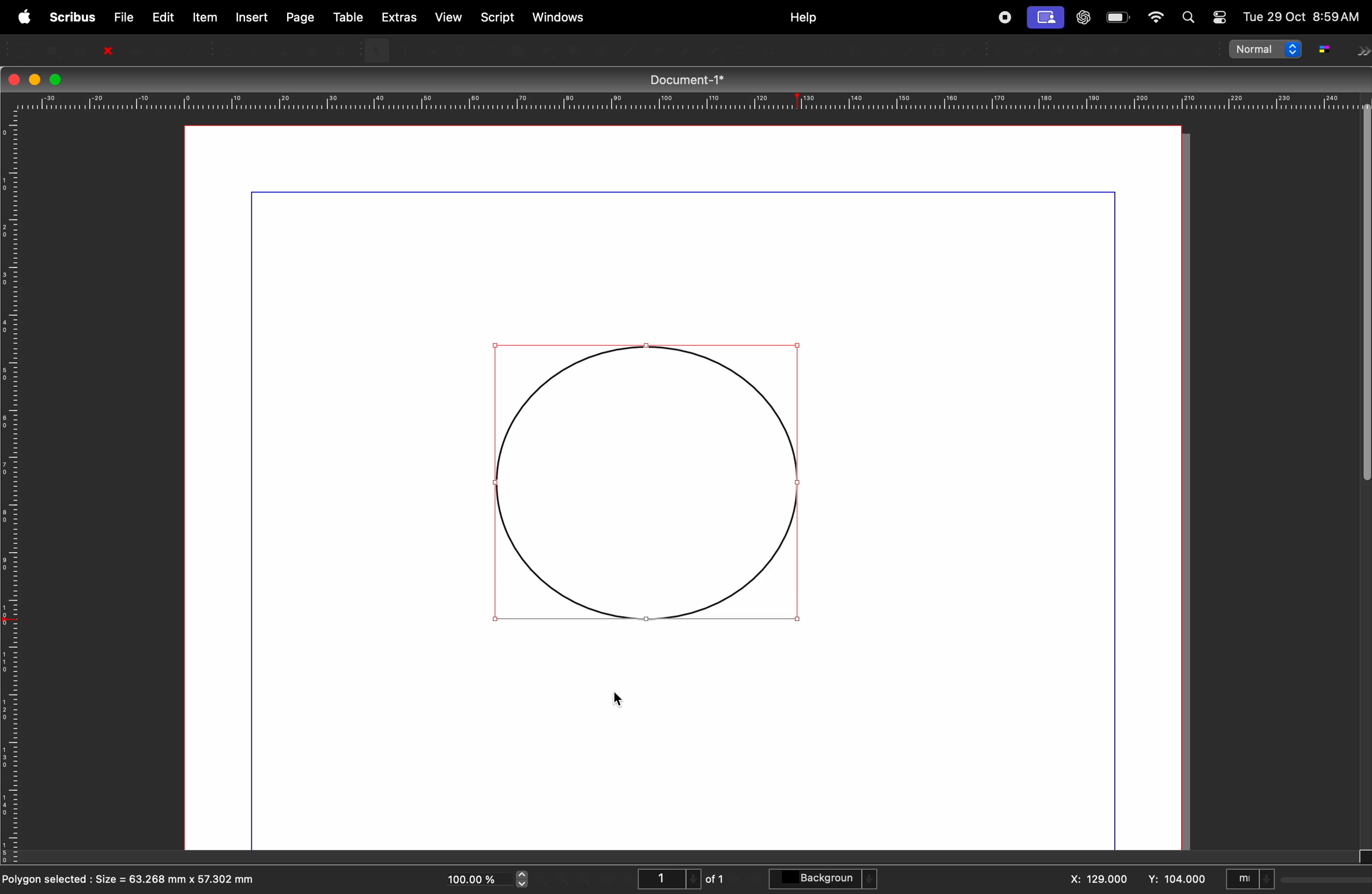 Image resolution: width=1372 pixels, height=894 pixels. I want to click on Redo, so click(258, 48).